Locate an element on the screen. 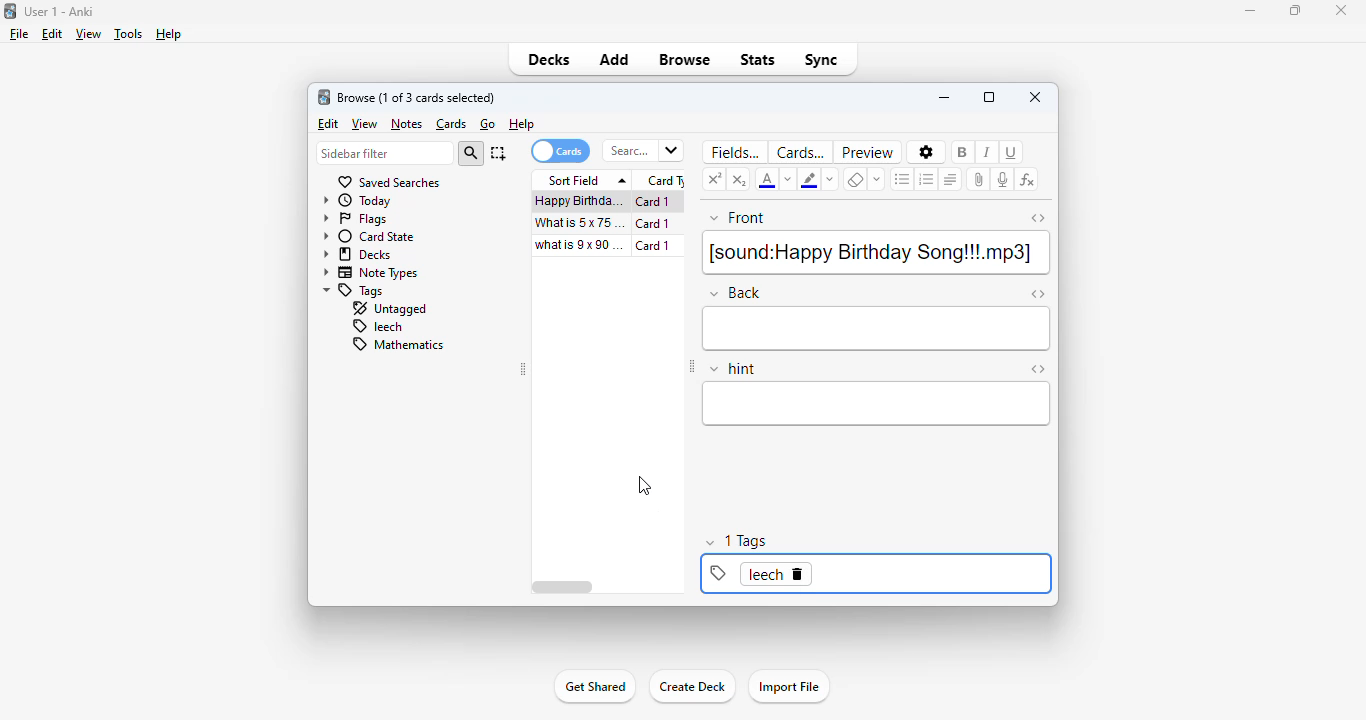 The width and height of the screenshot is (1366, 720). logo is located at coordinates (9, 10).